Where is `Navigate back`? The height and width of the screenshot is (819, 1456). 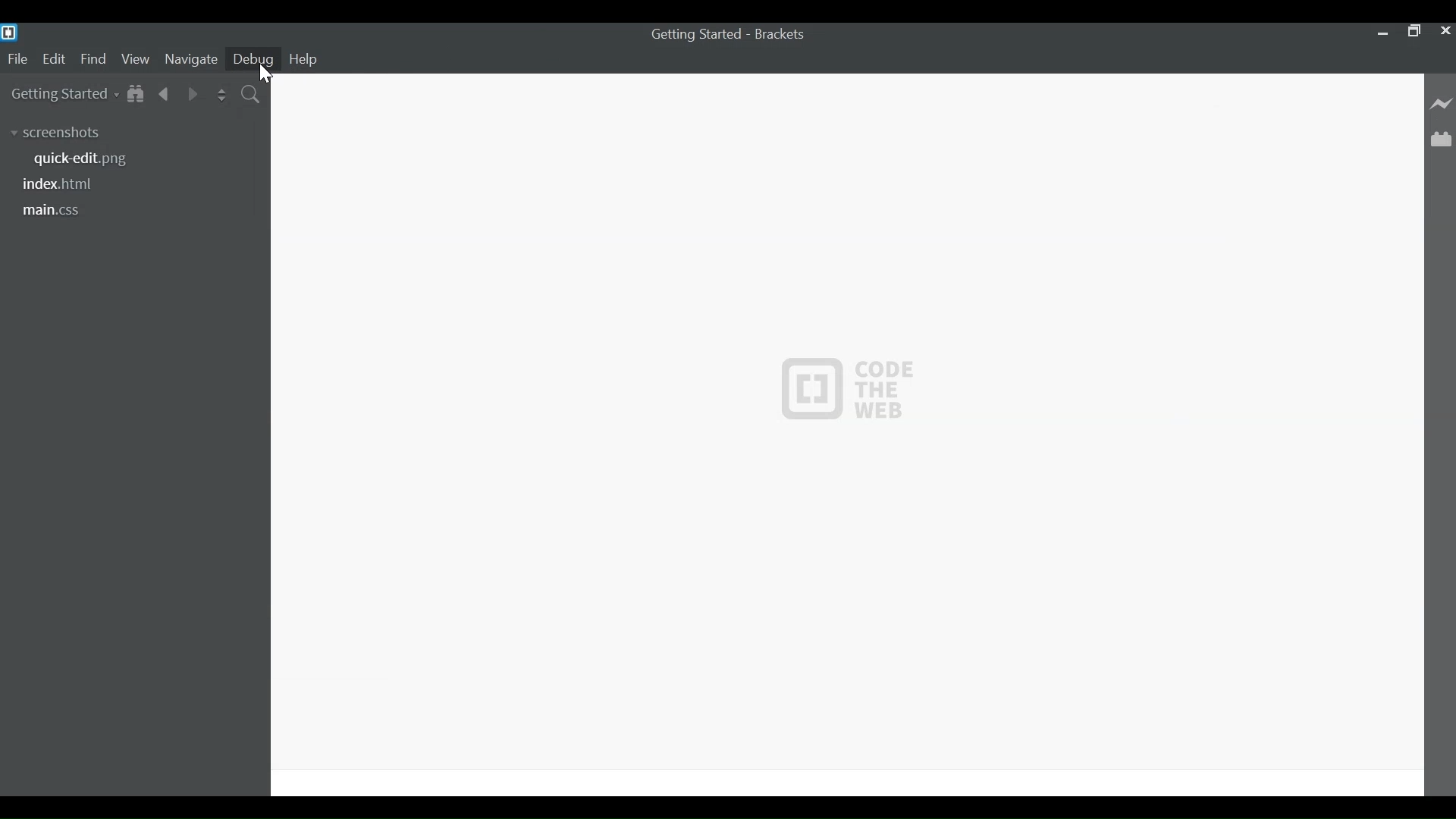 Navigate back is located at coordinates (165, 96).